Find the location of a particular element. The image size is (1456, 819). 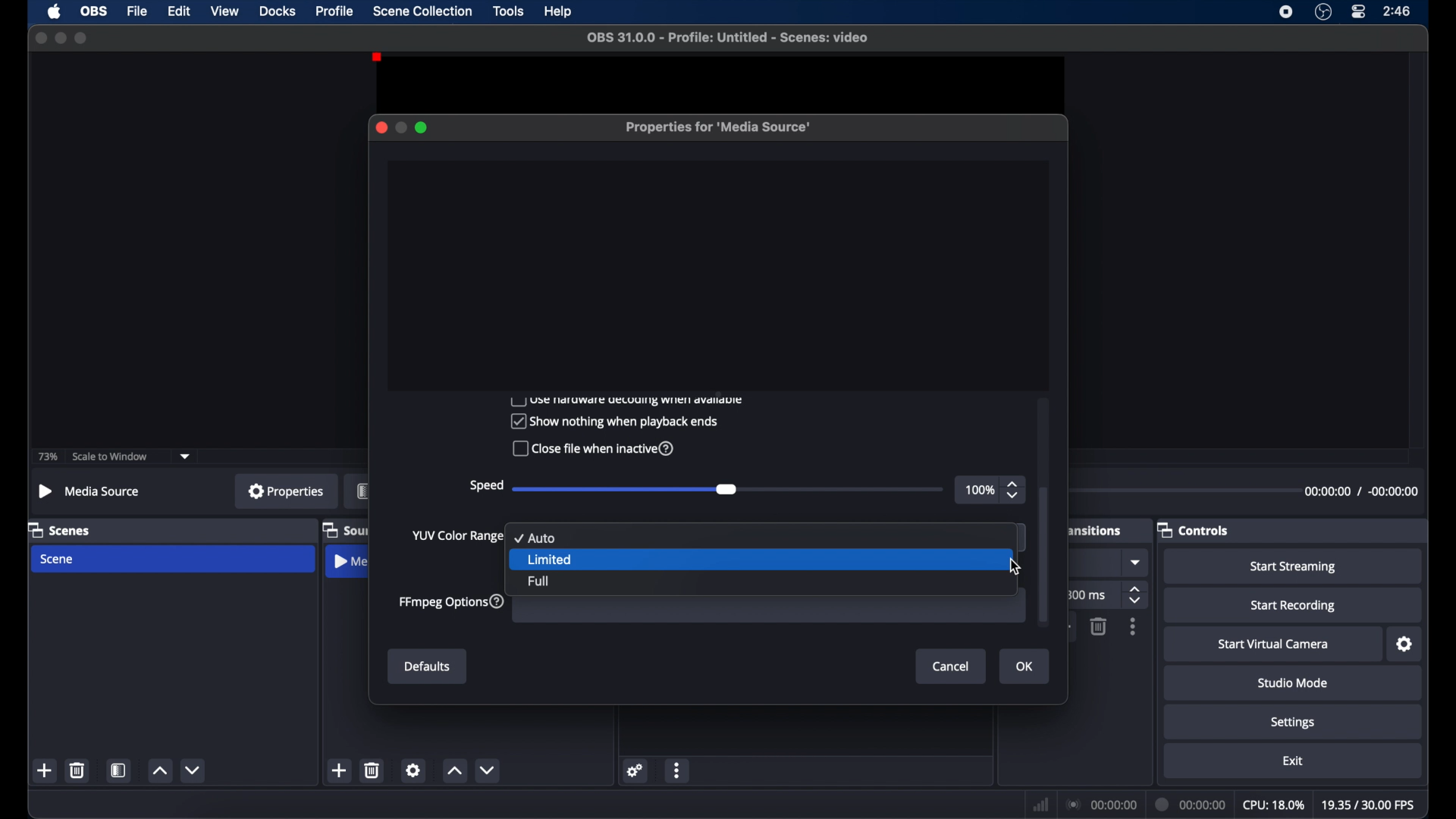

moreoptions is located at coordinates (677, 771).